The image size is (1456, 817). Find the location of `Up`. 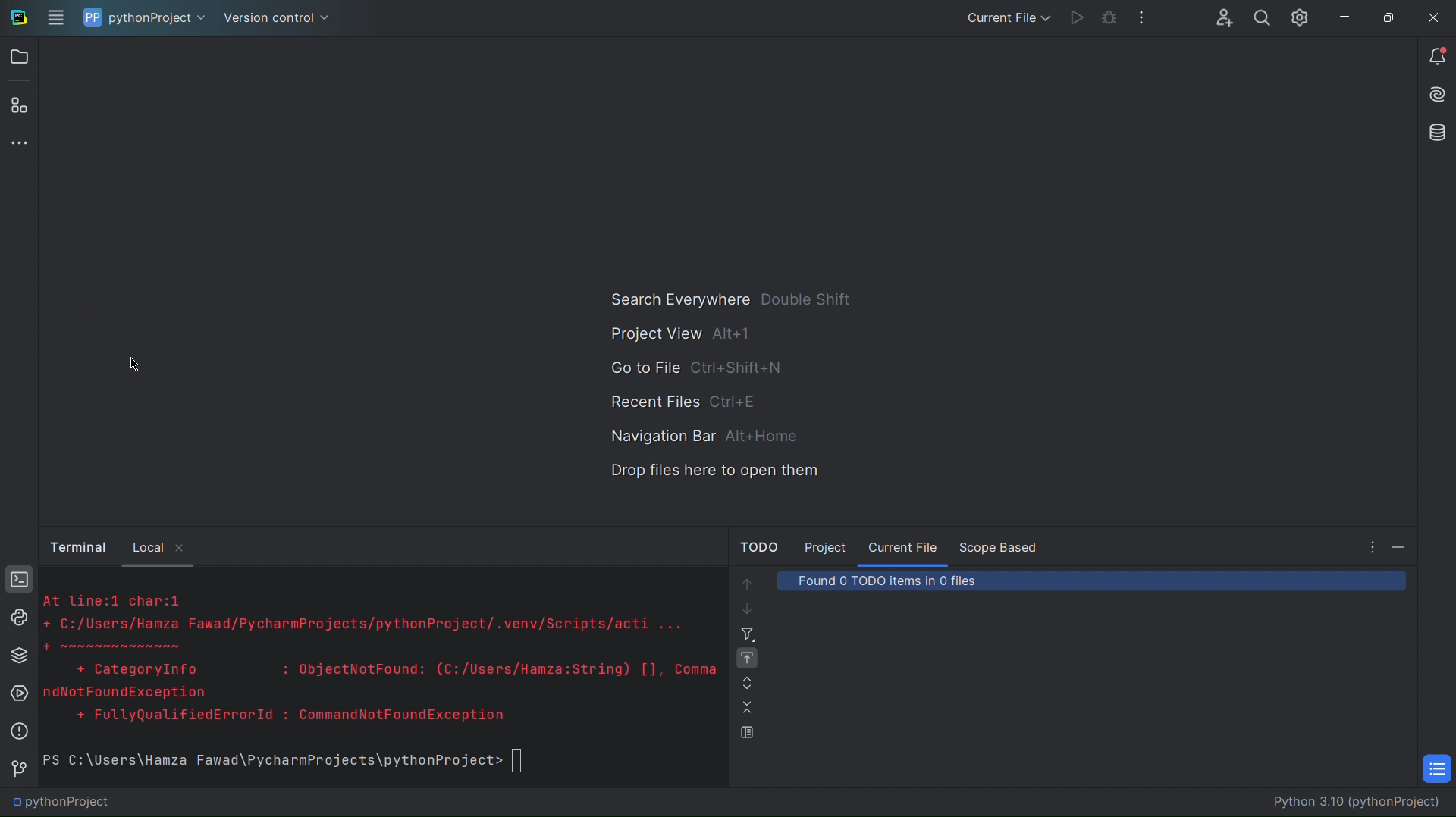

Up is located at coordinates (745, 581).